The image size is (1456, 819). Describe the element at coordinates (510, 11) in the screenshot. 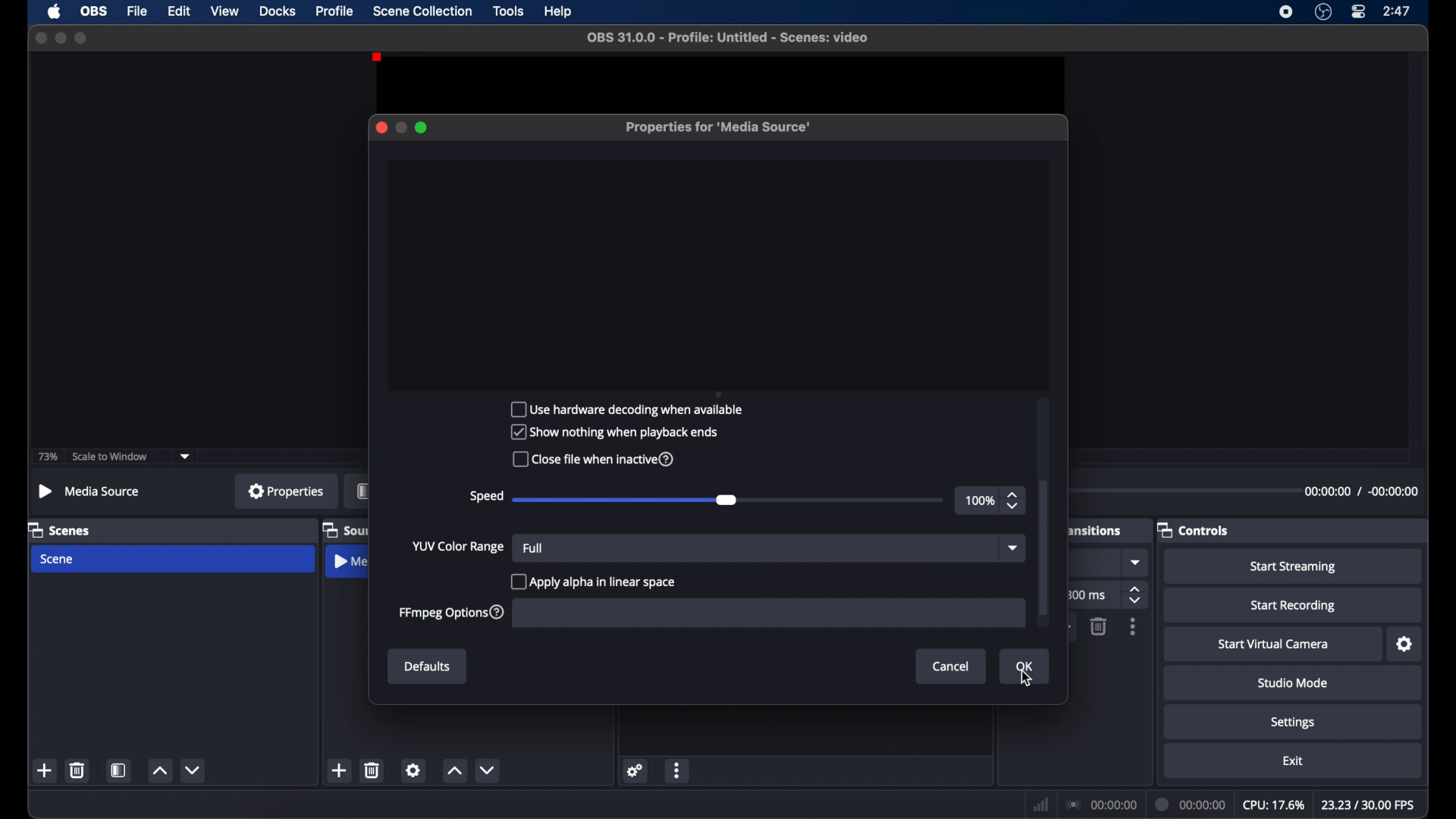

I see `tools` at that location.